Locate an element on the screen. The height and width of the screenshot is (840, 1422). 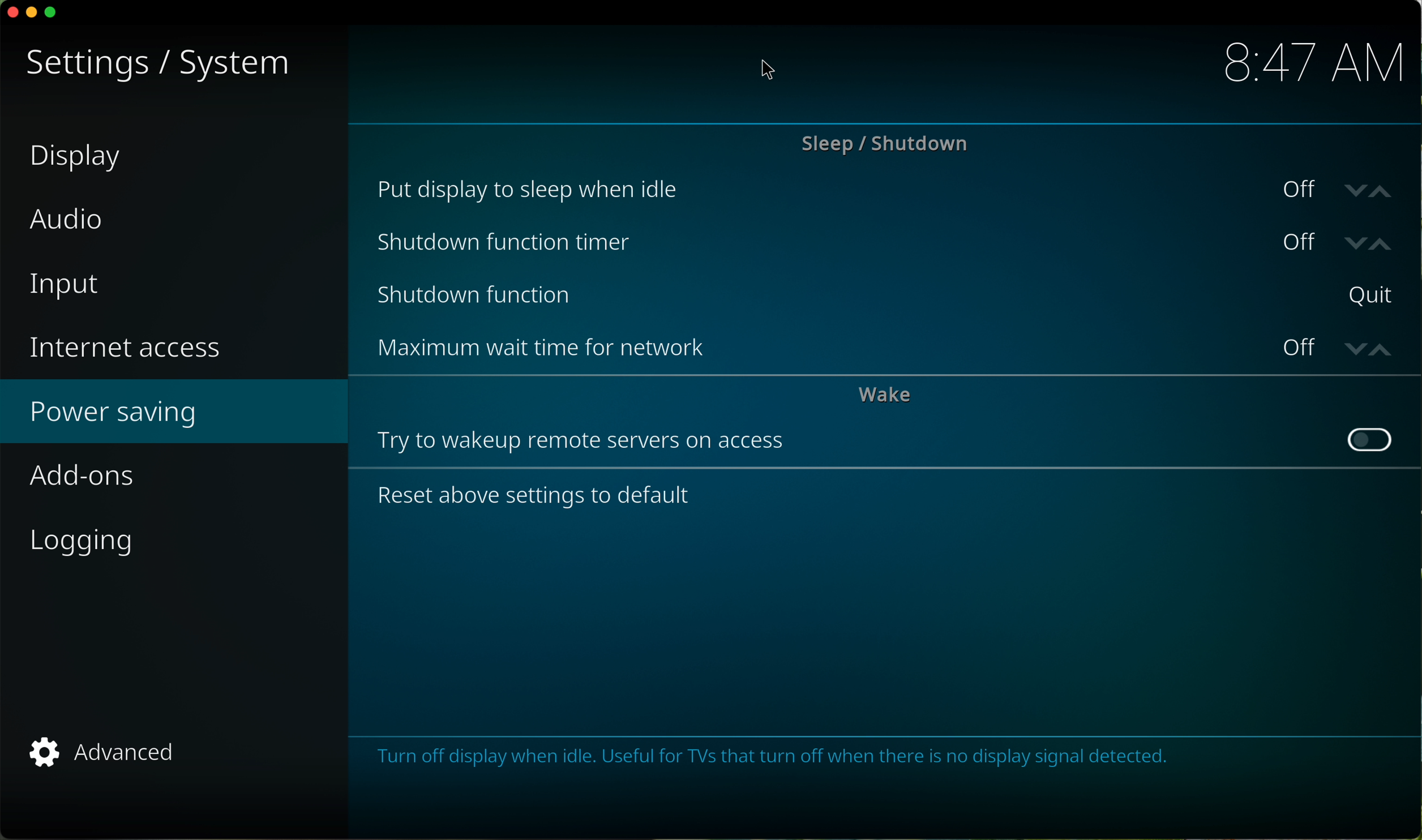
maximize is located at coordinates (55, 15).